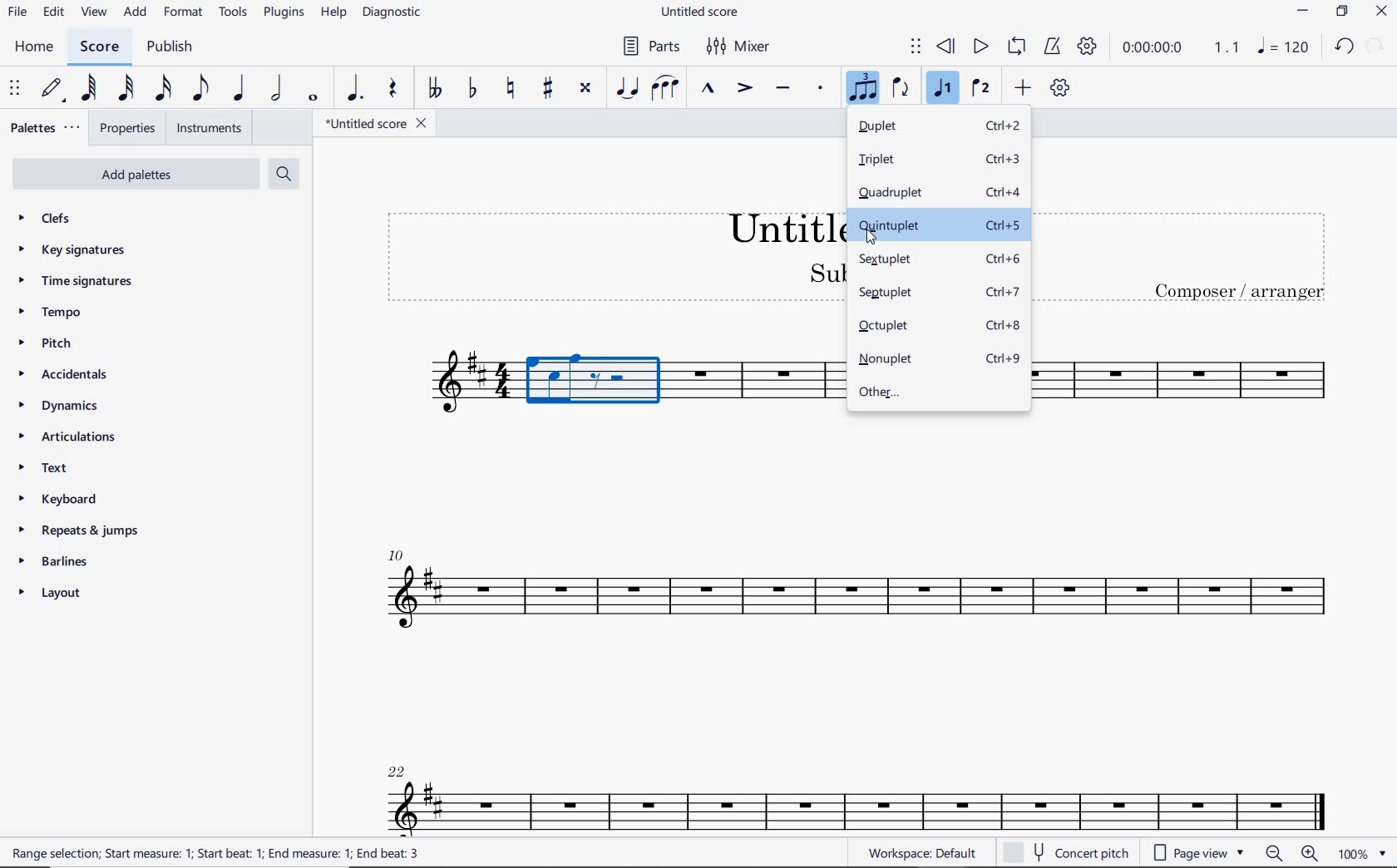 This screenshot has height=868, width=1397. What do you see at coordinates (1345, 47) in the screenshot?
I see `UNDO` at bounding box center [1345, 47].